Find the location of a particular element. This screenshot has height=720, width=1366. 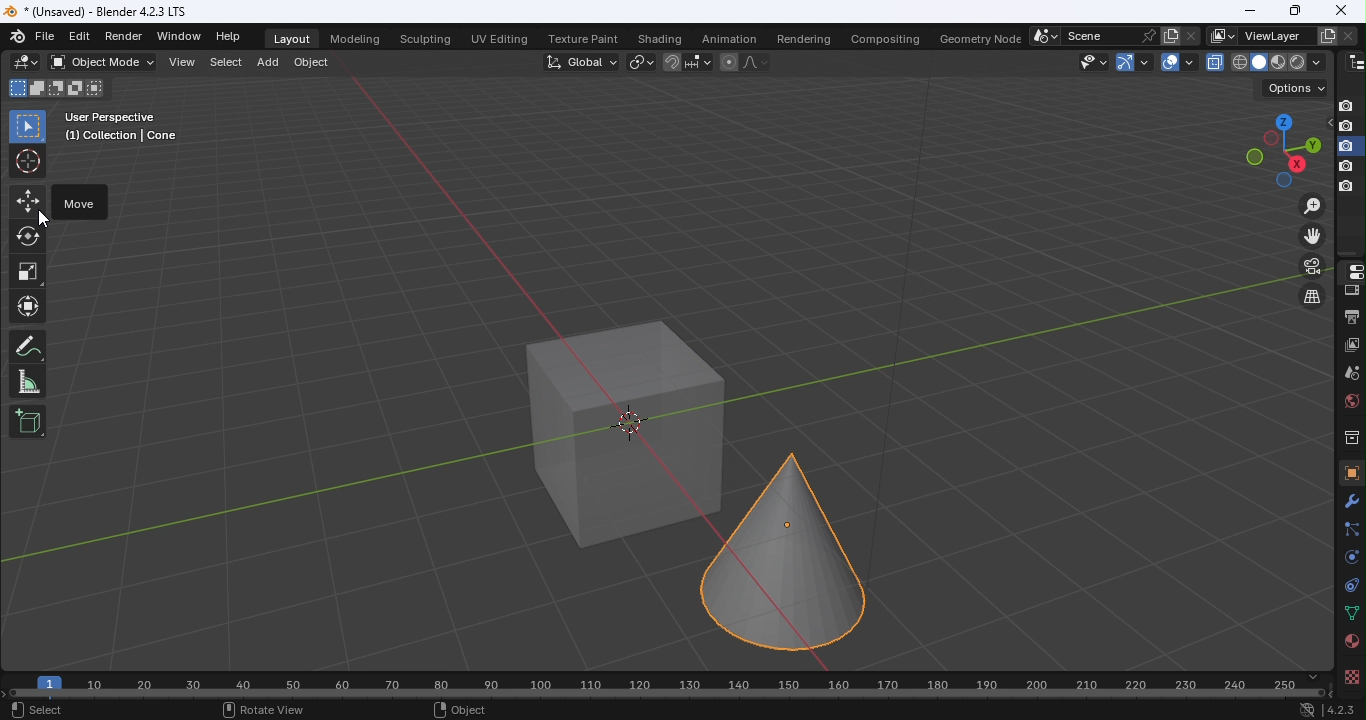

Rotate view is located at coordinates (261, 710).